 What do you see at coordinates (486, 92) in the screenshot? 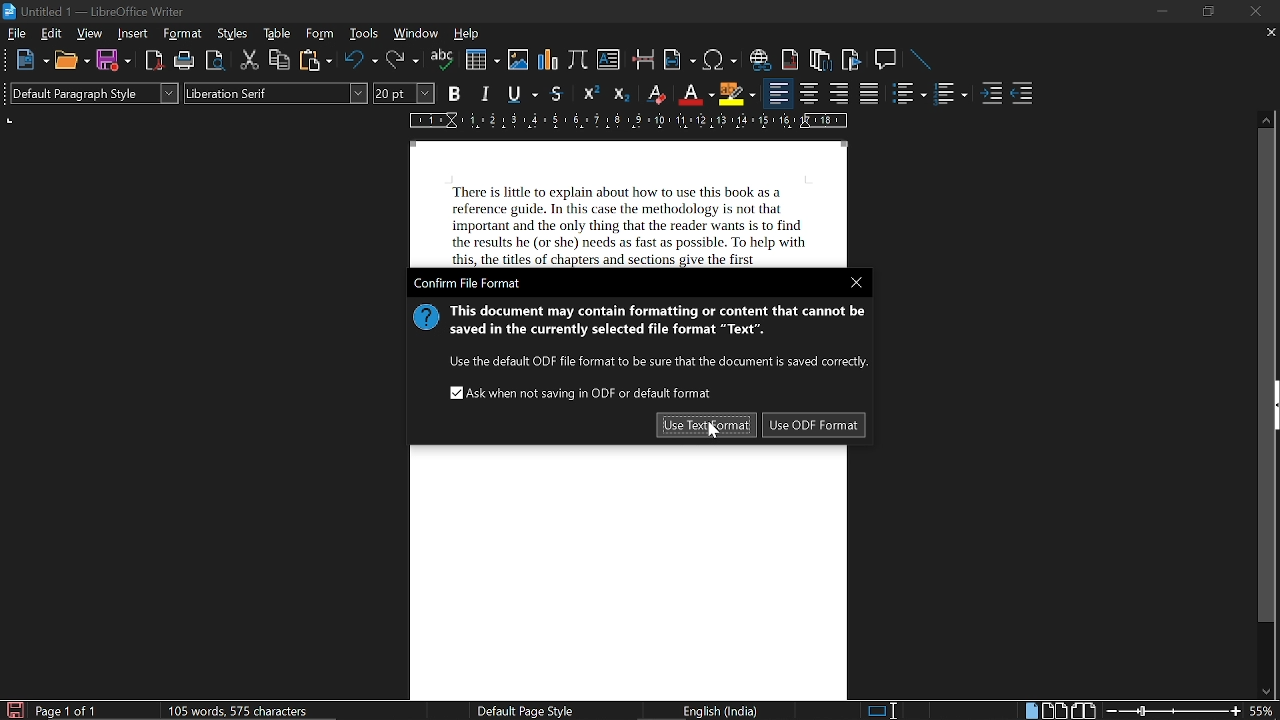
I see `italic` at bounding box center [486, 92].